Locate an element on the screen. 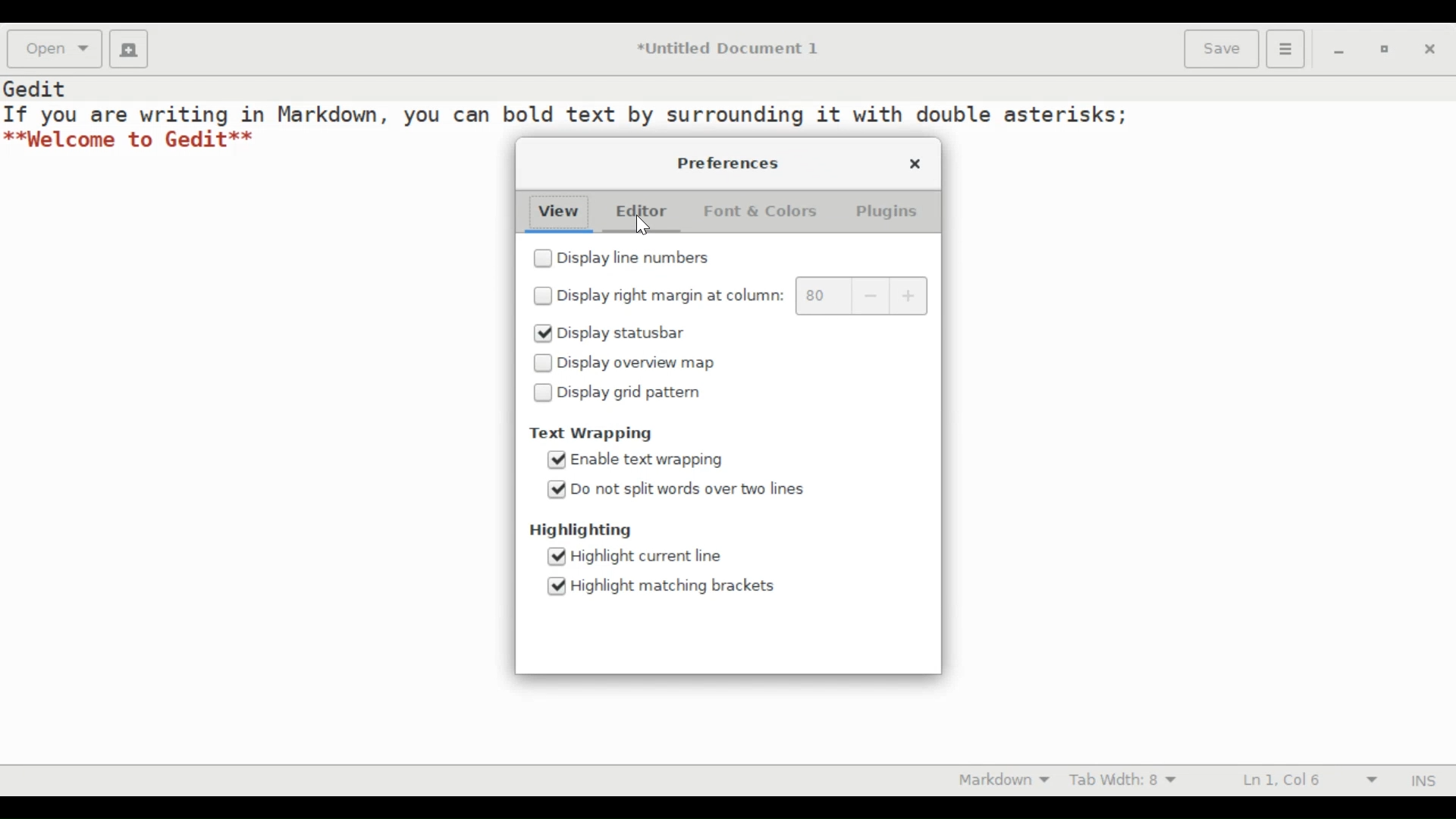 The width and height of the screenshot is (1456, 819). Checked Checkbox is located at coordinates (555, 489).